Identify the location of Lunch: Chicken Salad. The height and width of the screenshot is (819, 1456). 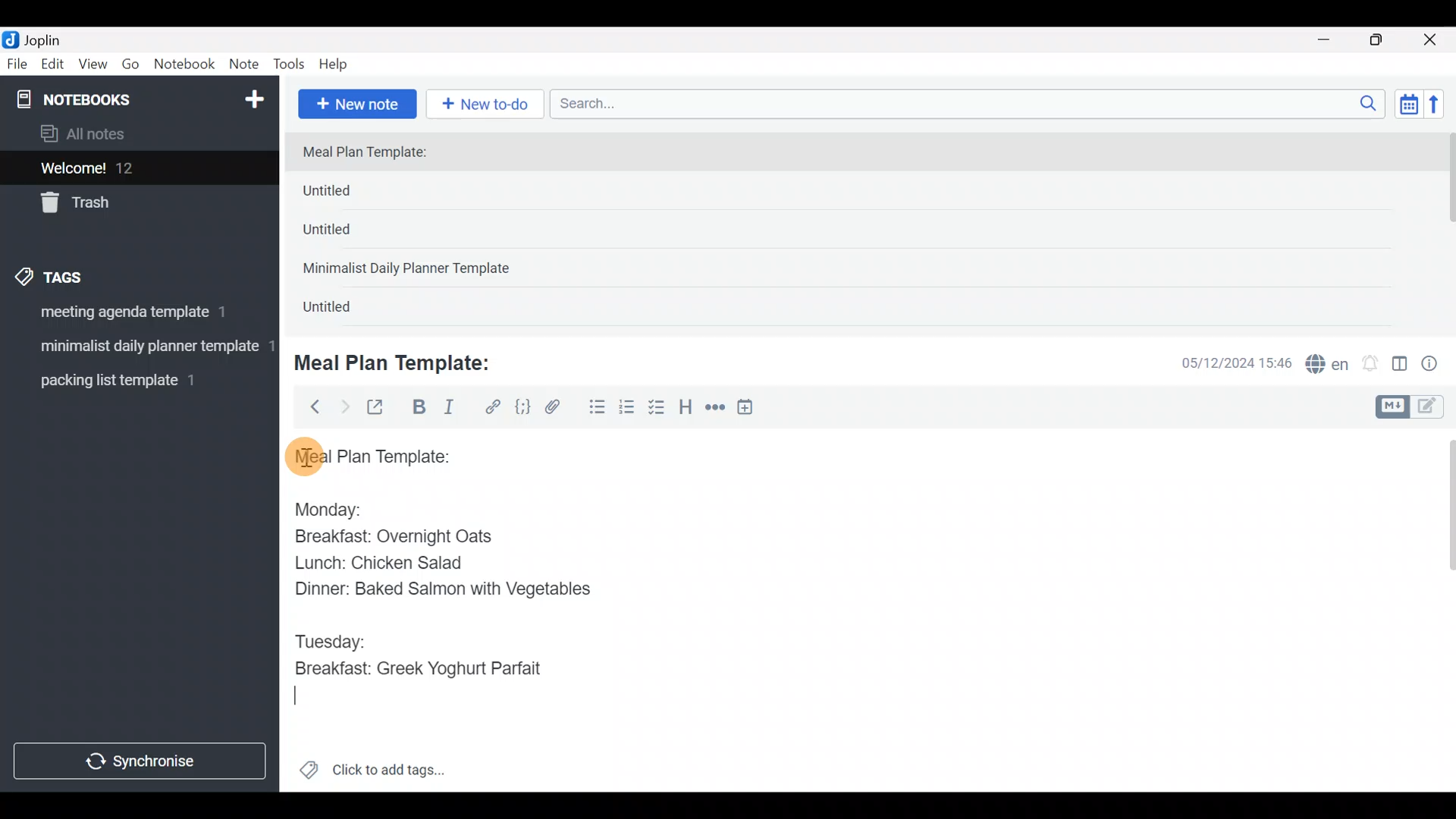
(377, 563).